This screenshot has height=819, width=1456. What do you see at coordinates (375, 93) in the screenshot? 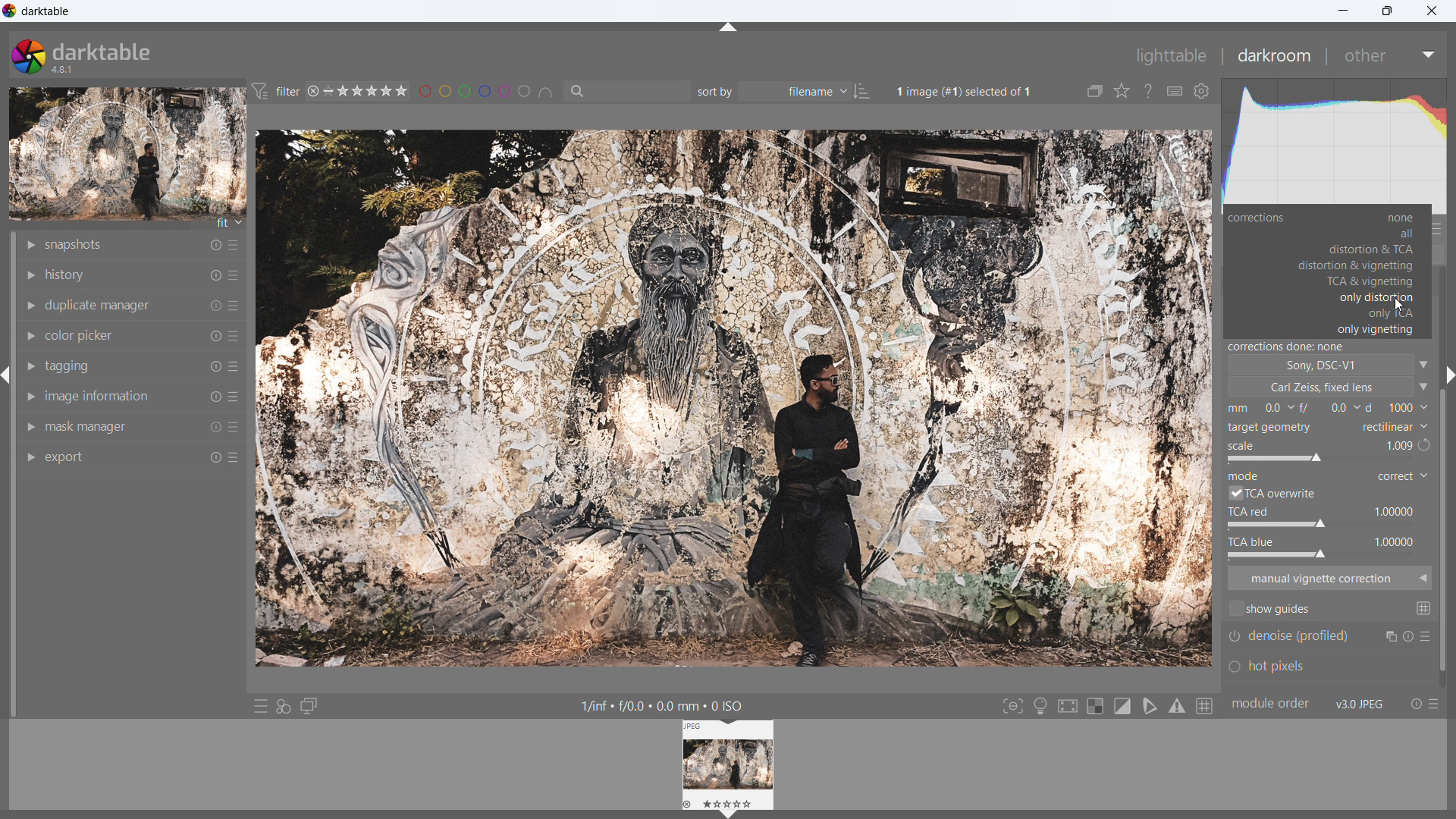
I see `range rating` at bounding box center [375, 93].